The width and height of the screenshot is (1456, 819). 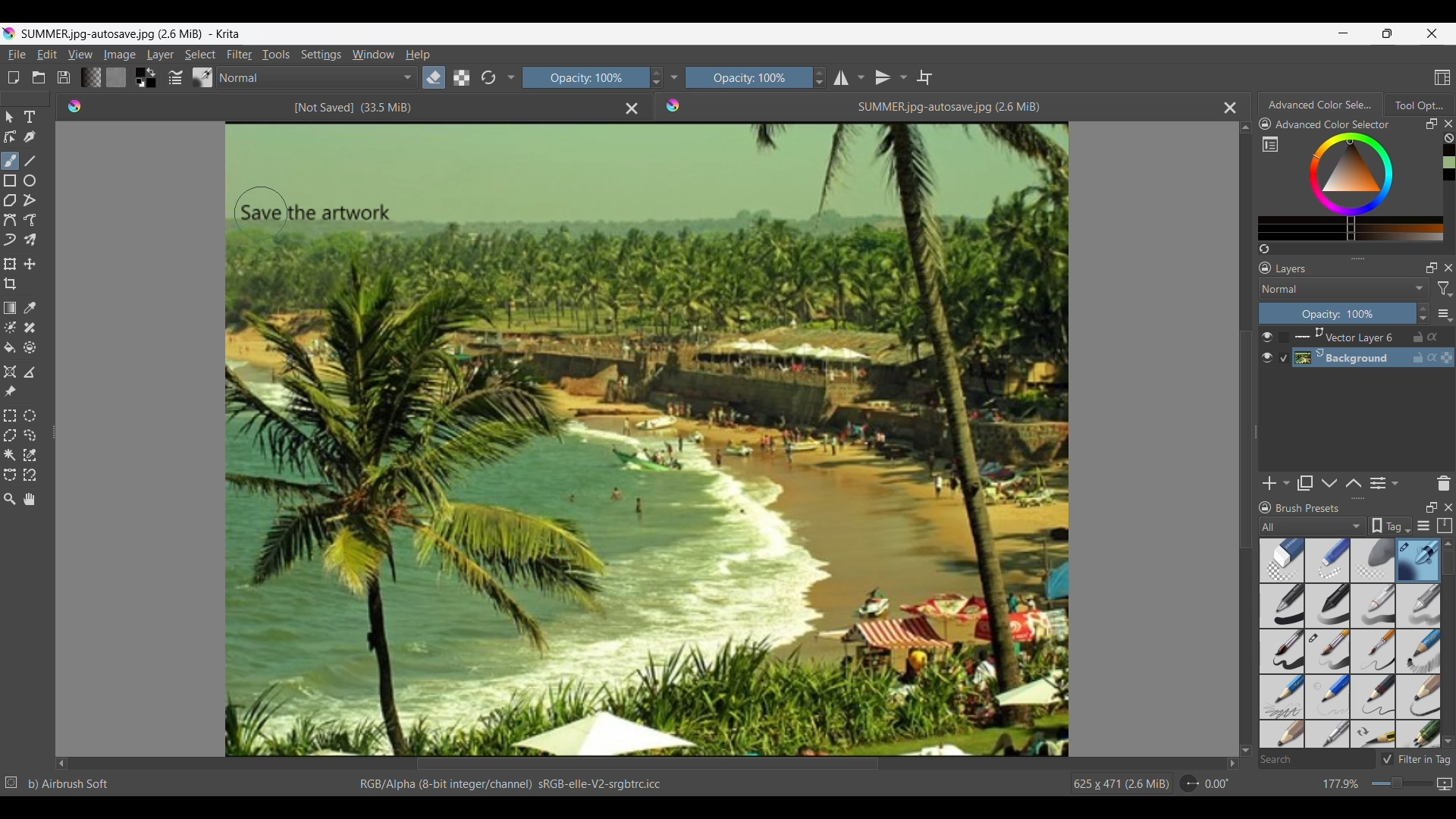 What do you see at coordinates (434, 77) in the screenshot?
I see `Set eraser mode` at bounding box center [434, 77].